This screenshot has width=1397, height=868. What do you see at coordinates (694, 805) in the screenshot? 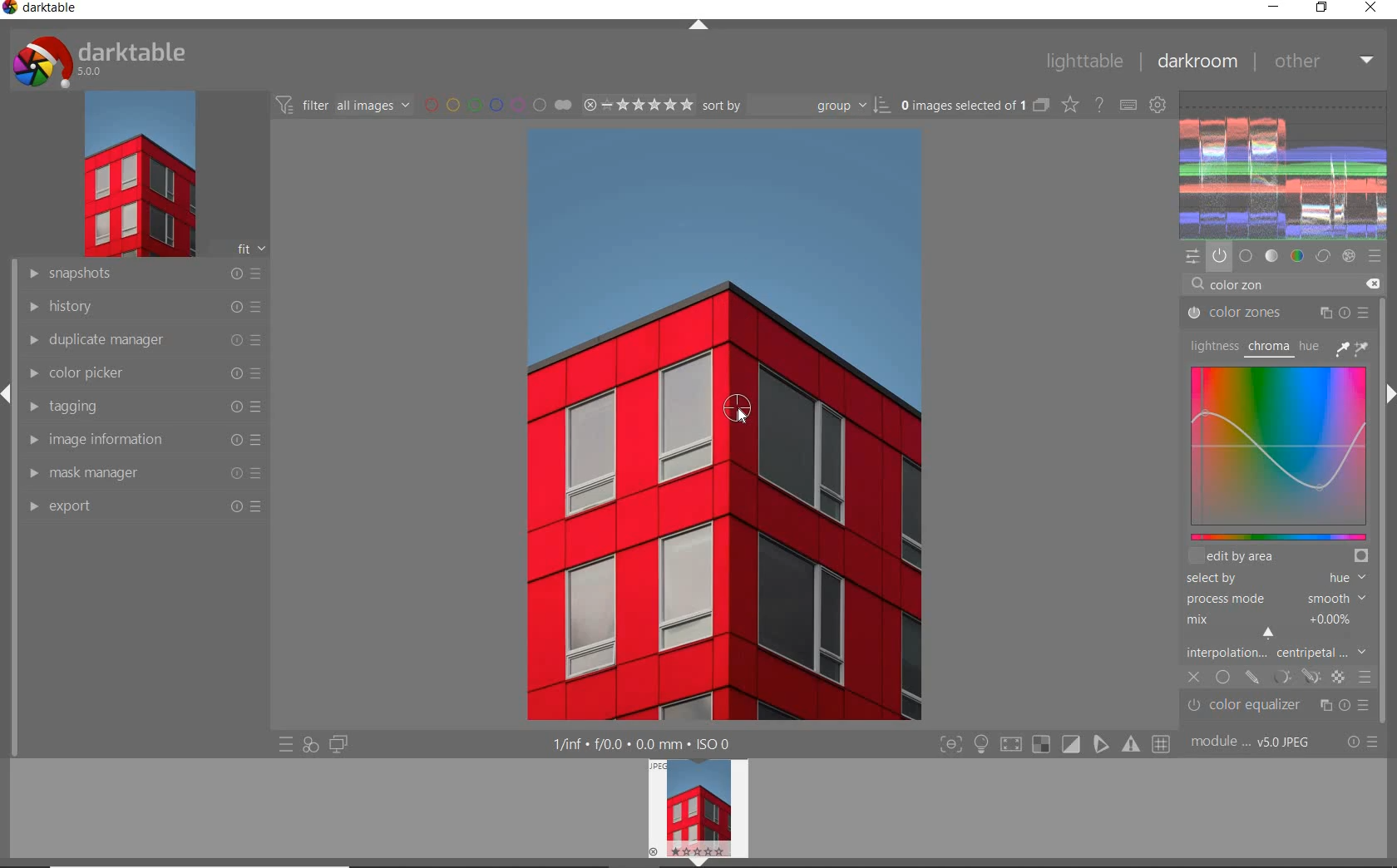
I see `image preview` at bounding box center [694, 805].